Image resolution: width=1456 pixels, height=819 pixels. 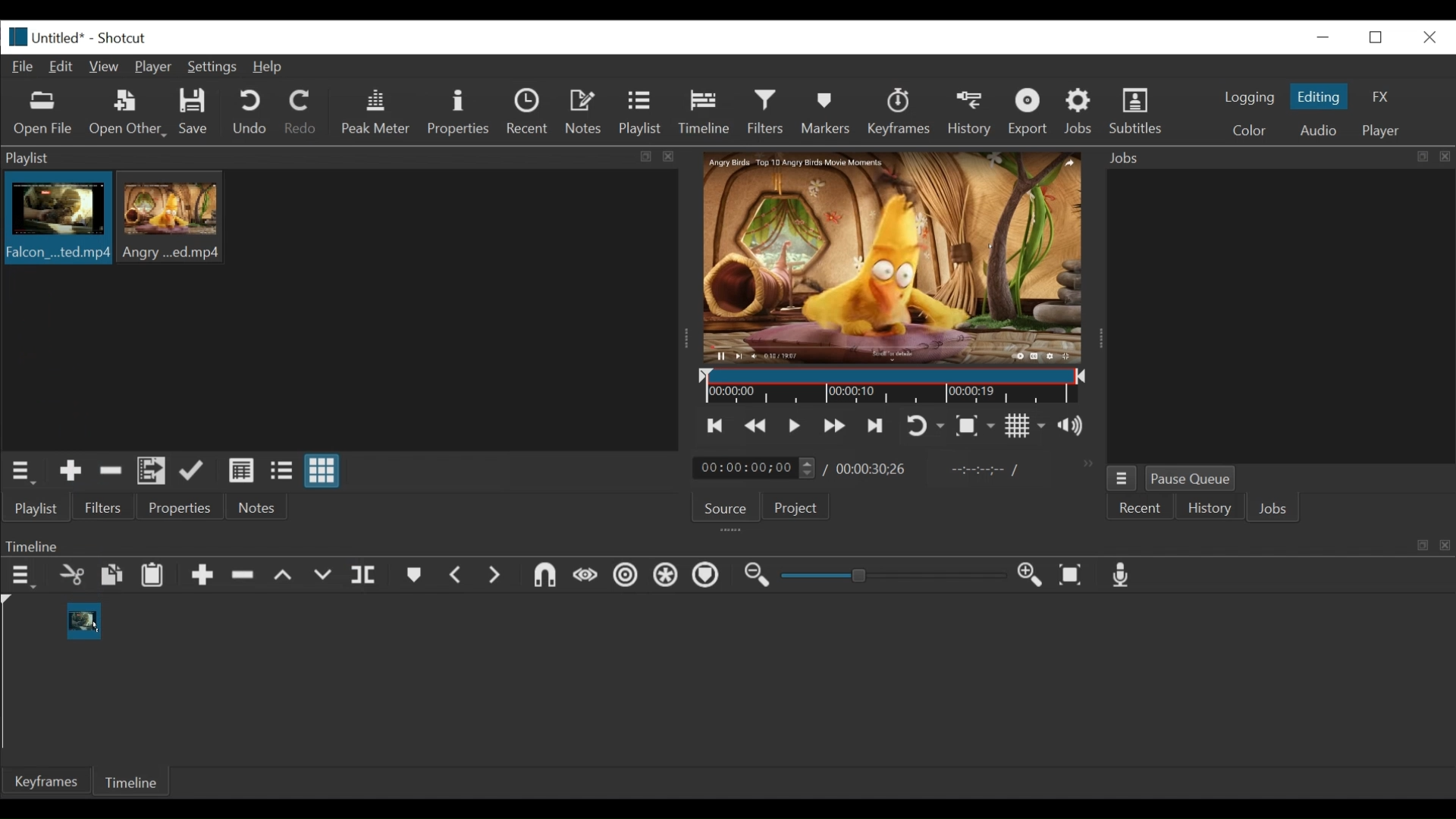 What do you see at coordinates (43, 114) in the screenshot?
I see `Open file` at bounding box center [43, 114].